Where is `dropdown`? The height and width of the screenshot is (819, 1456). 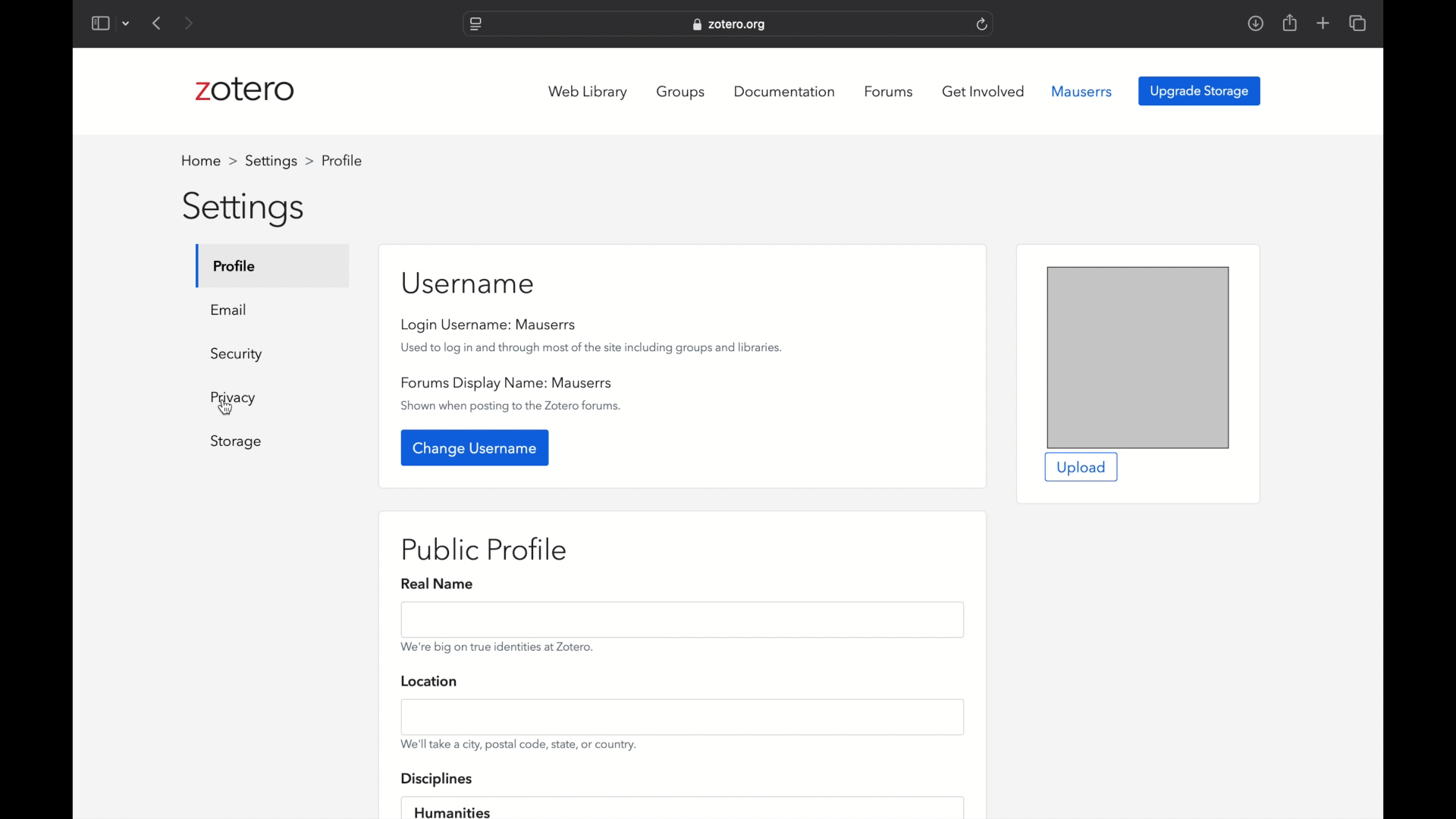 dropdown is located at coordinates (127, 25).